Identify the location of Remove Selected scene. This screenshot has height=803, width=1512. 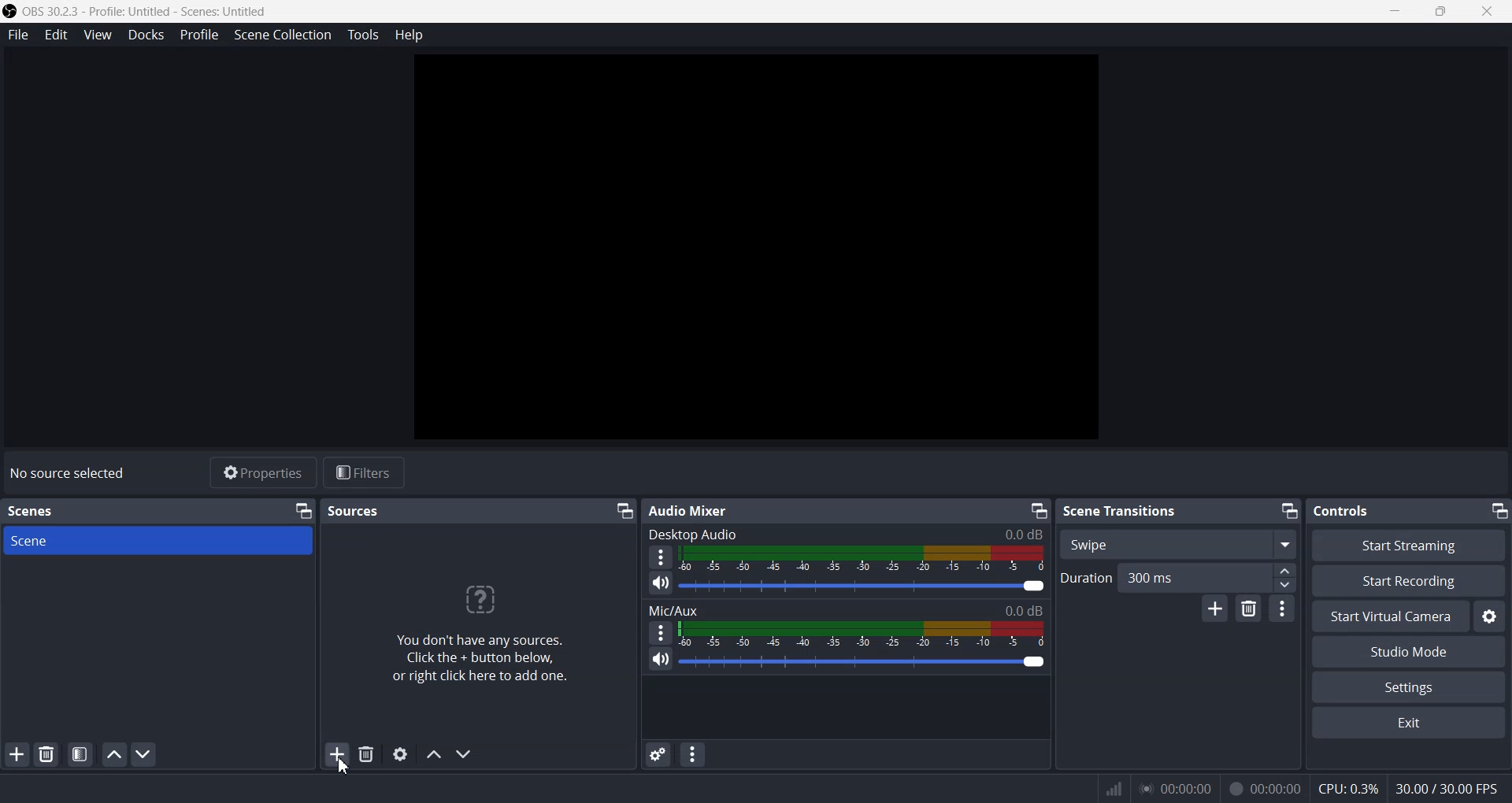
(47, 754).